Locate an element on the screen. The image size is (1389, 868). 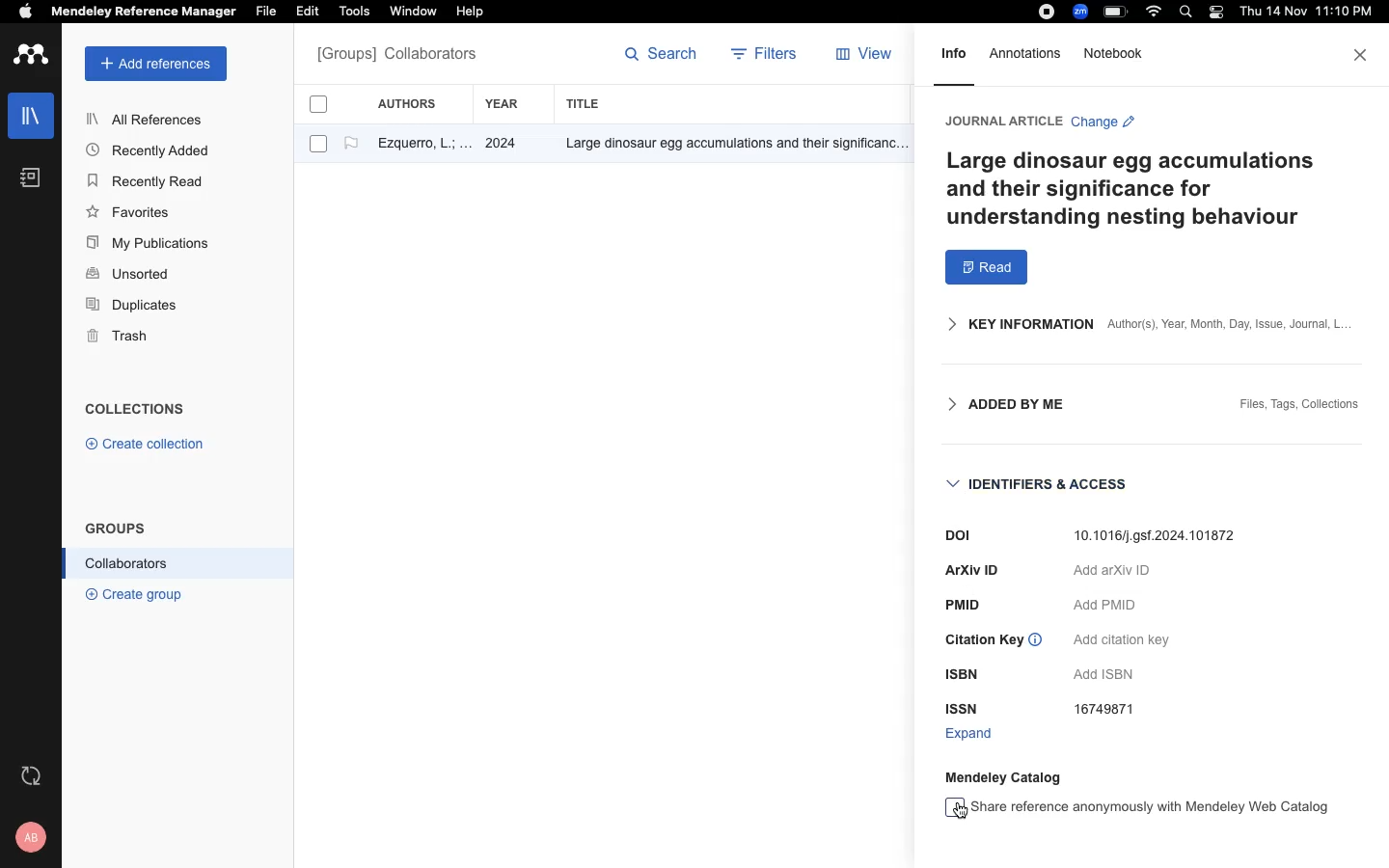
Recently Added is located at coordinates (153, 149).